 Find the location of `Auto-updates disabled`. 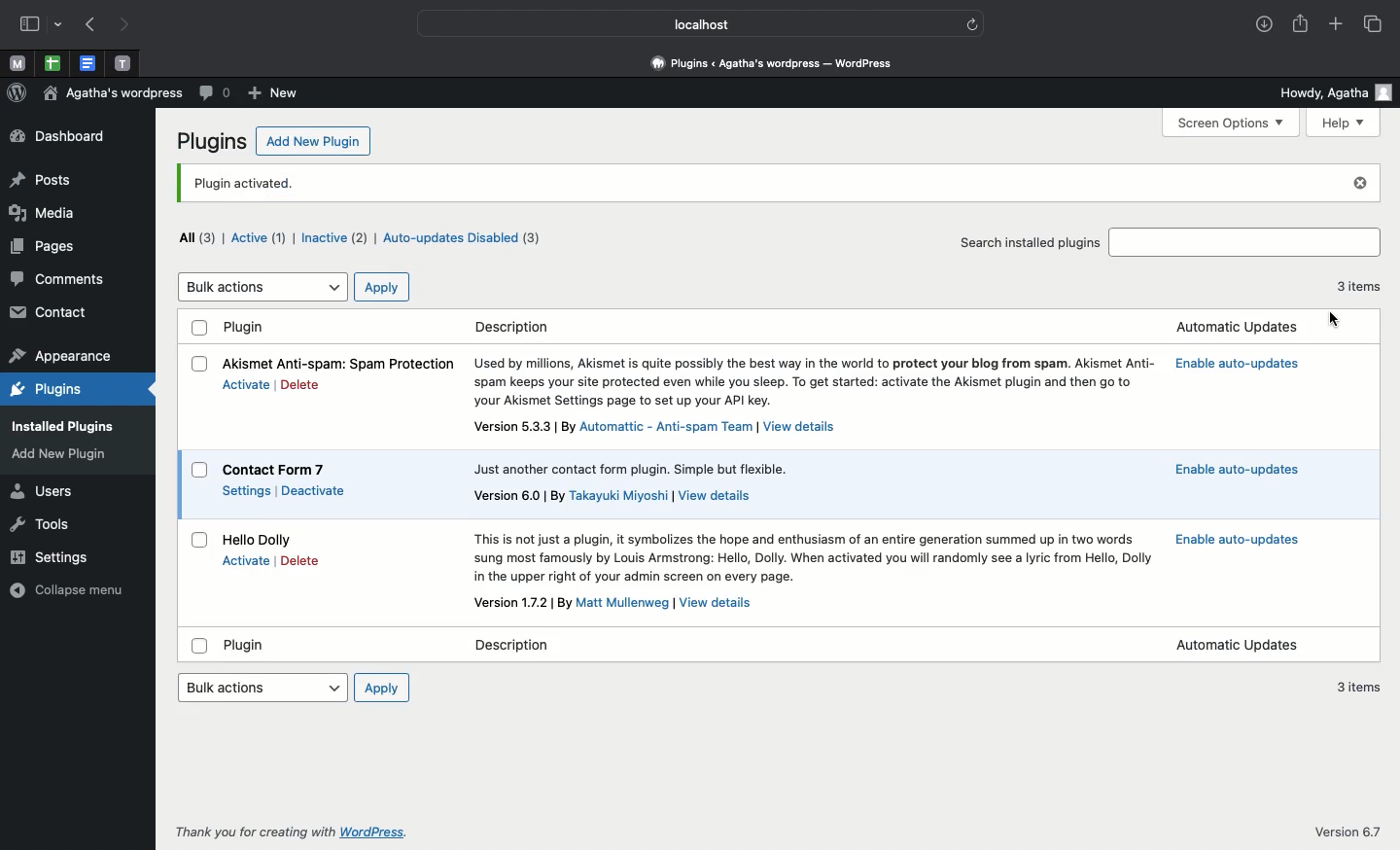

Auto-updates disabled is located at coordinates (467, 240).